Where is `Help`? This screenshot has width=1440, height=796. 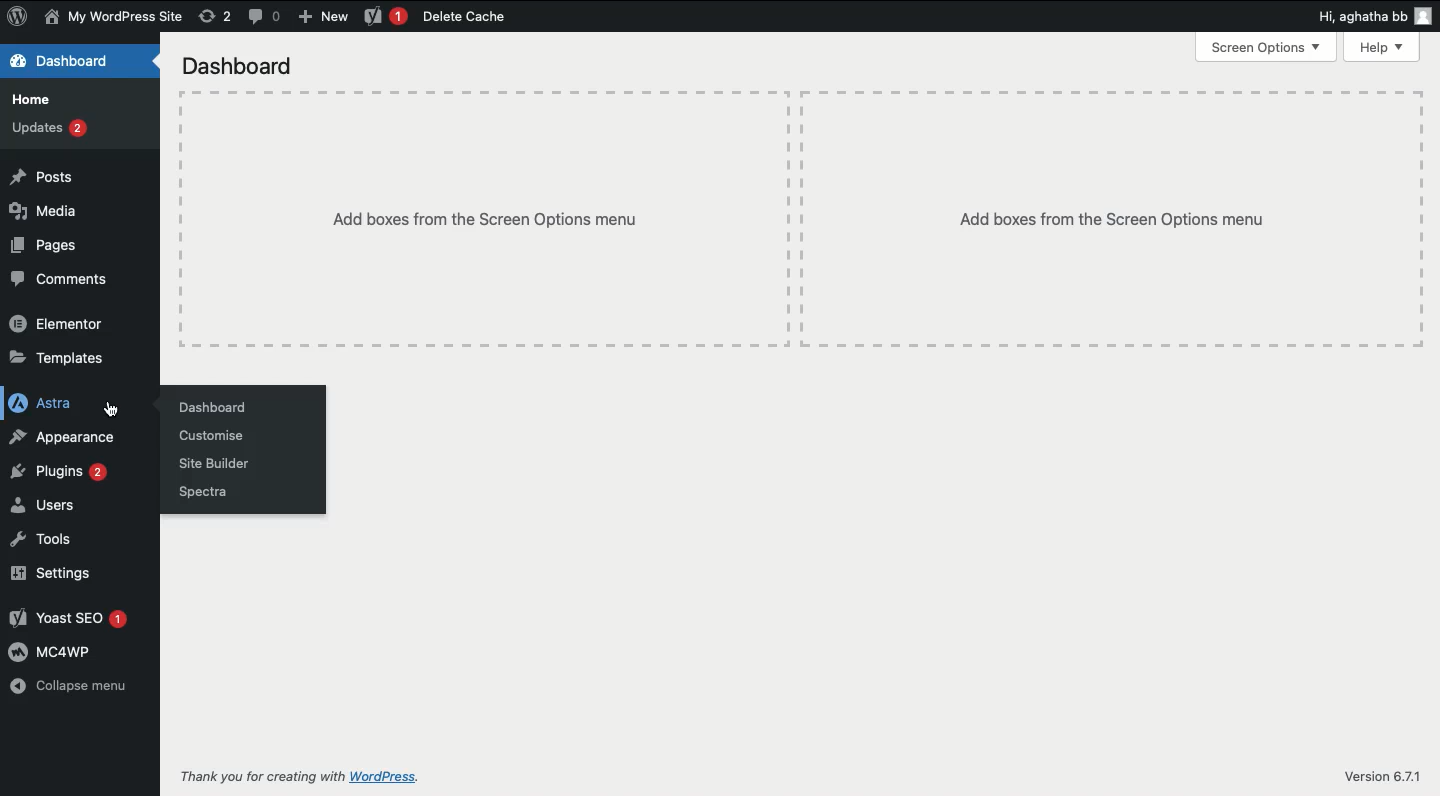
Help is located at coordinates (1381, 48).